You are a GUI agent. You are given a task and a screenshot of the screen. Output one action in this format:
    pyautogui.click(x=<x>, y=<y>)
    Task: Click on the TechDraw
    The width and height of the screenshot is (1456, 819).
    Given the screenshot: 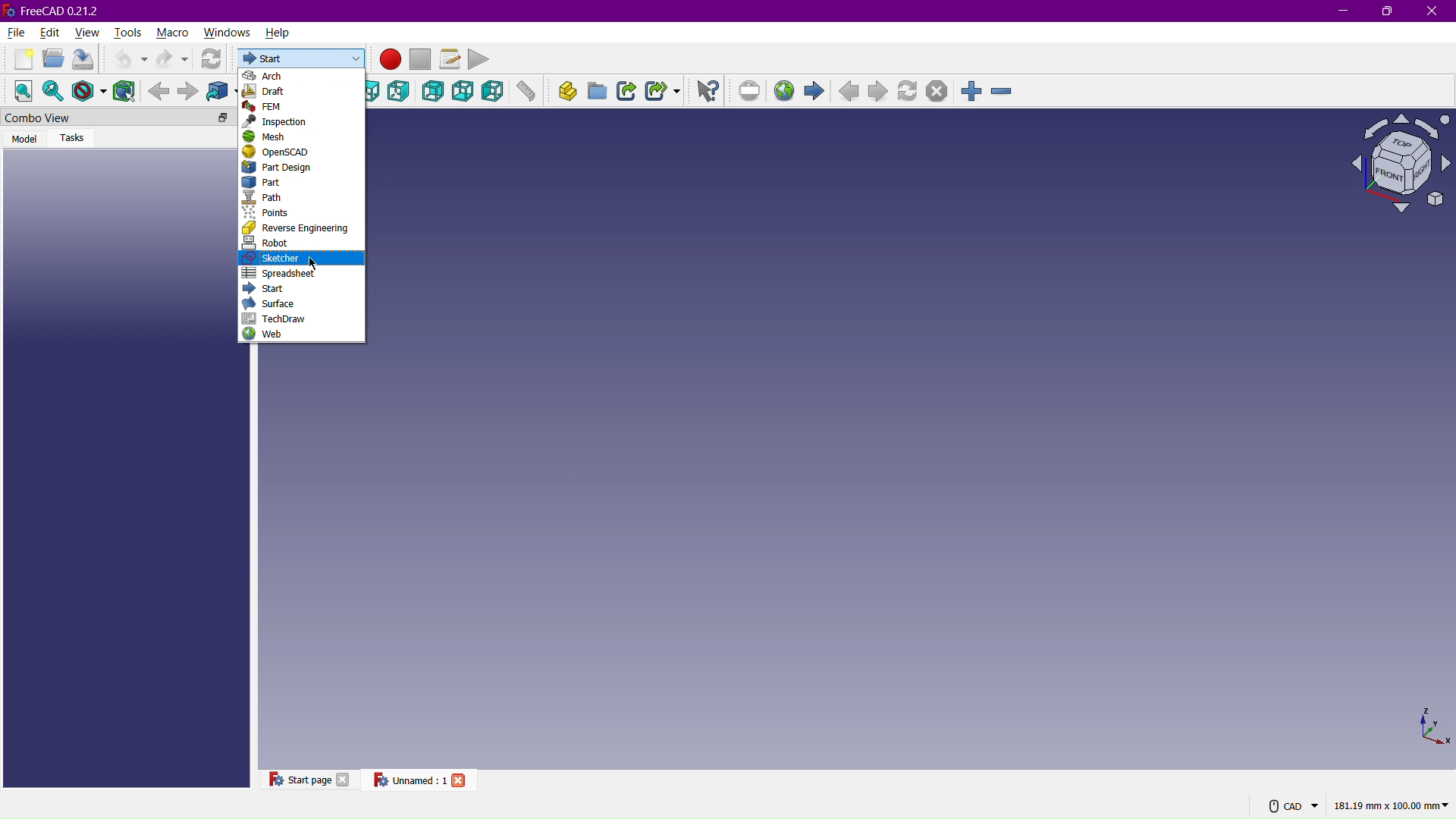 What is the action you would take?
    pyautogui.click(x=300, y=318)
    